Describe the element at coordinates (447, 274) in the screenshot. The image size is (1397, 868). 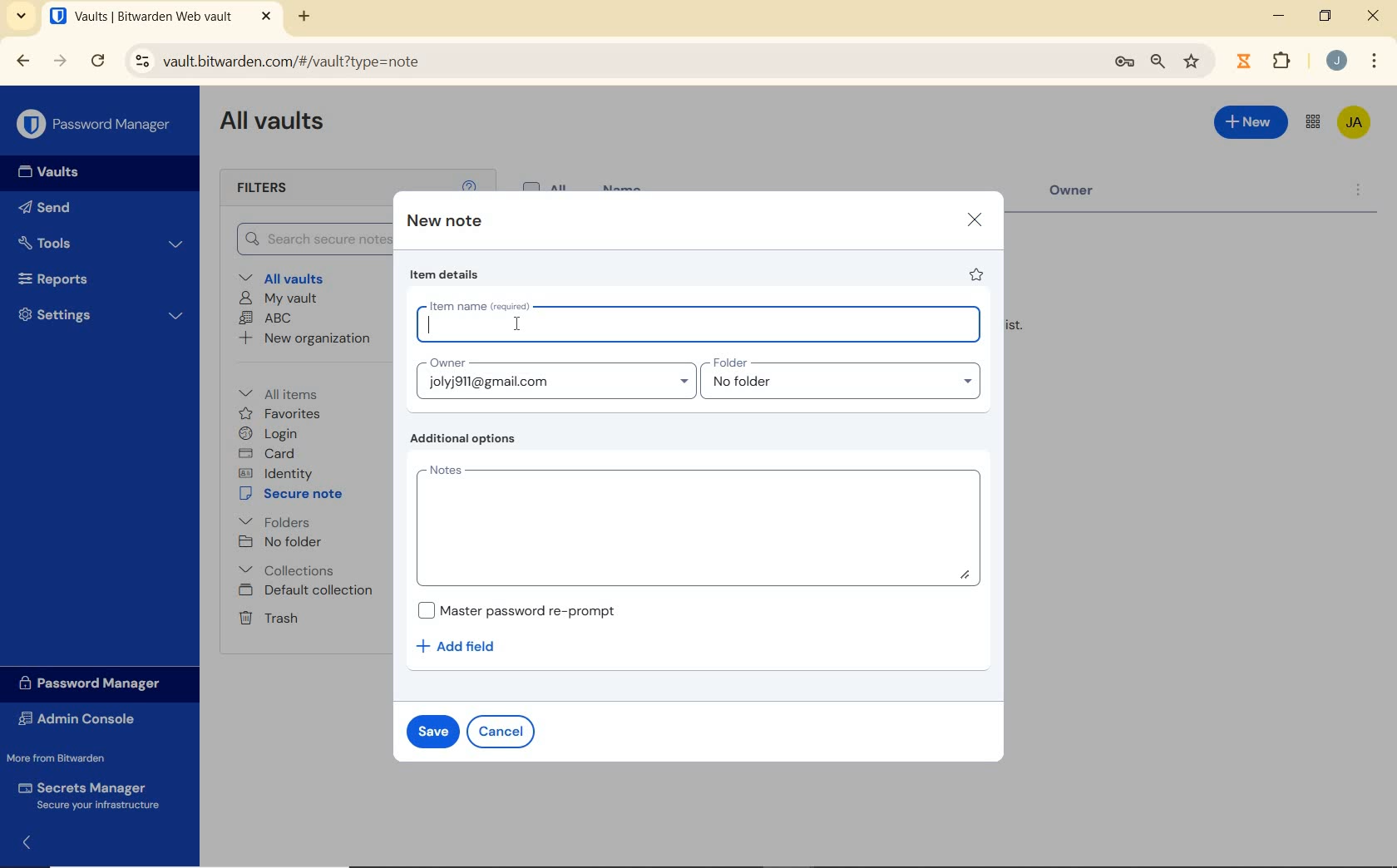
I see `item details` at that location.